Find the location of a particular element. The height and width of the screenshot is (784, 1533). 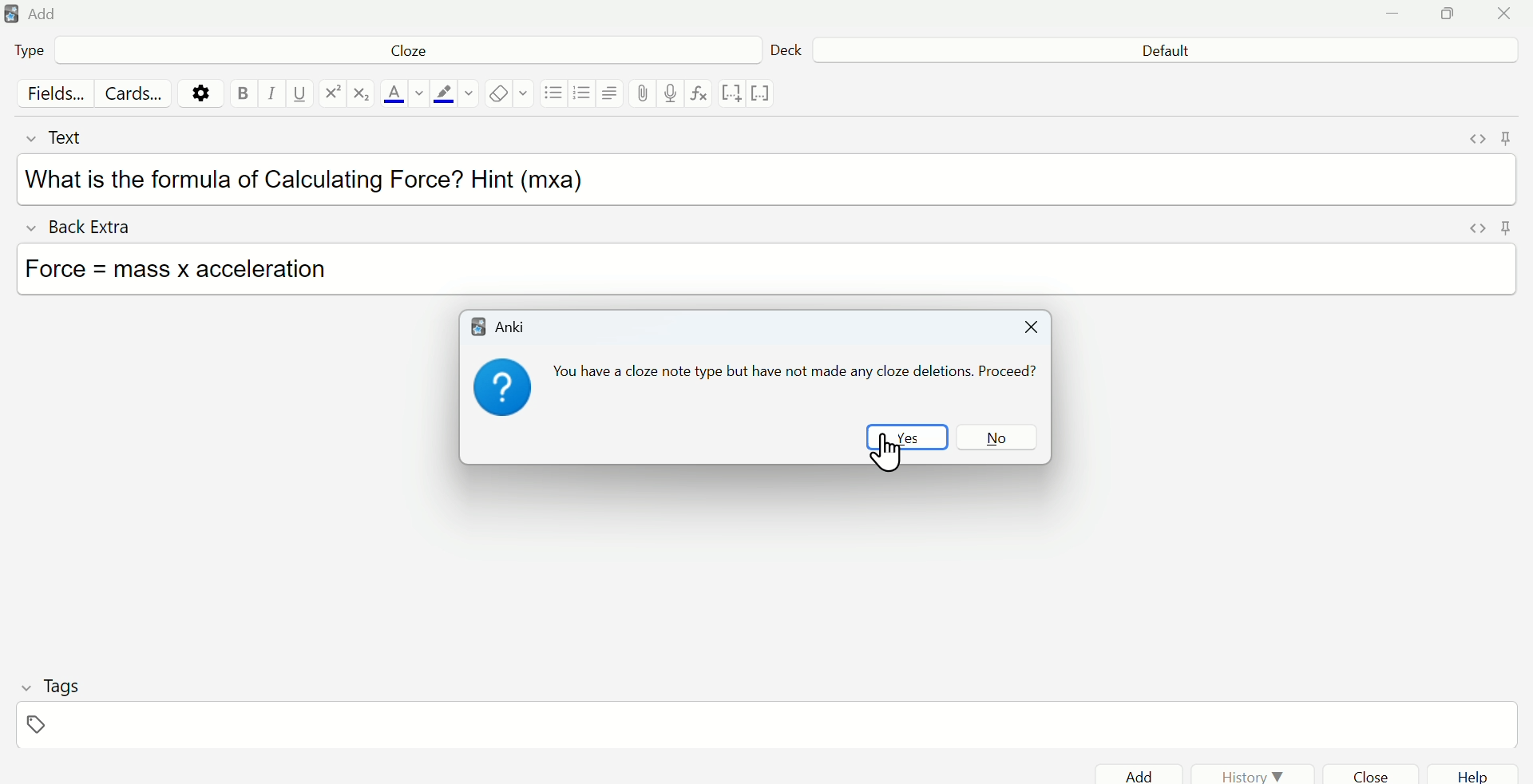

Close is located at coordinates (1379, 774).